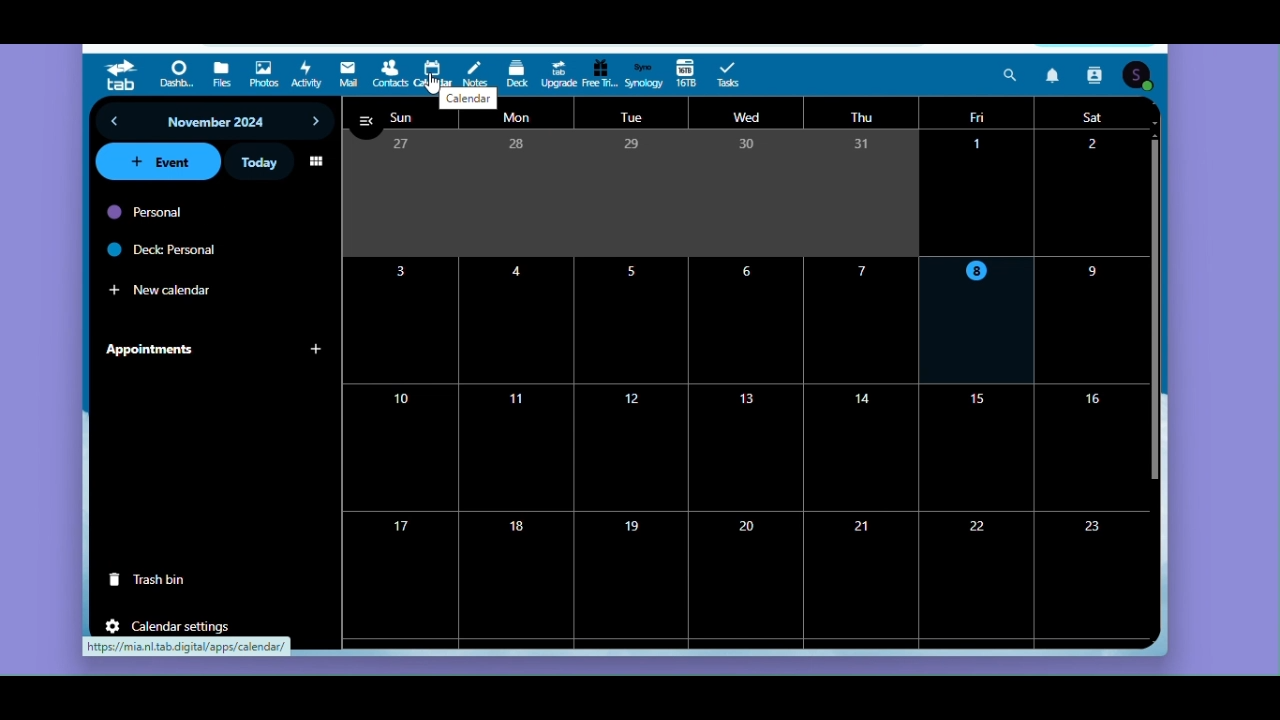 This screenshot has width=1280, height=720. Describe the element at coordinates (217, 123) in the screenshot. I see `November 2024` at that location.